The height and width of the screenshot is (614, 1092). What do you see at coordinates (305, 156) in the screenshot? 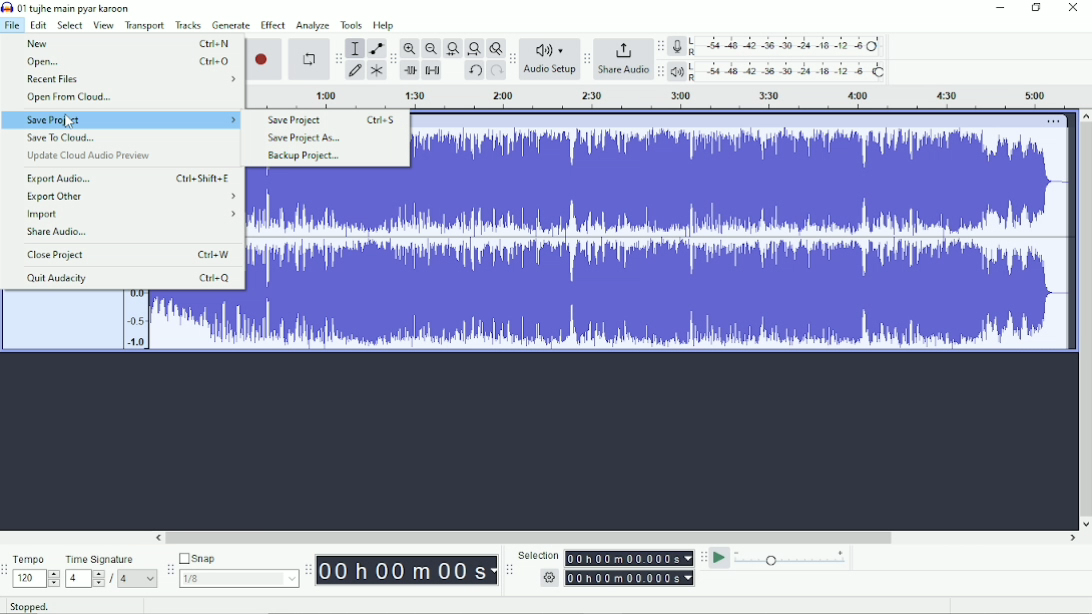
I see `Backup Project` at bounding box center [305, 156].